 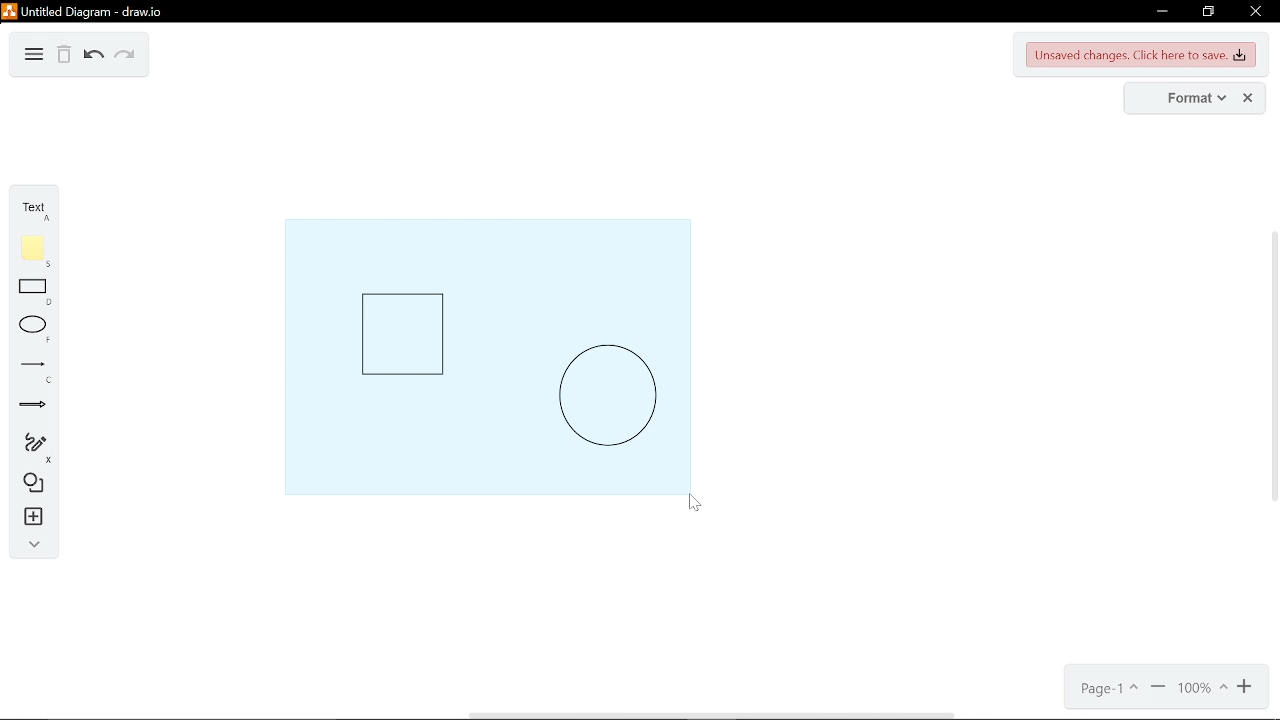 I want to click on line, so click(x=31, y=373).